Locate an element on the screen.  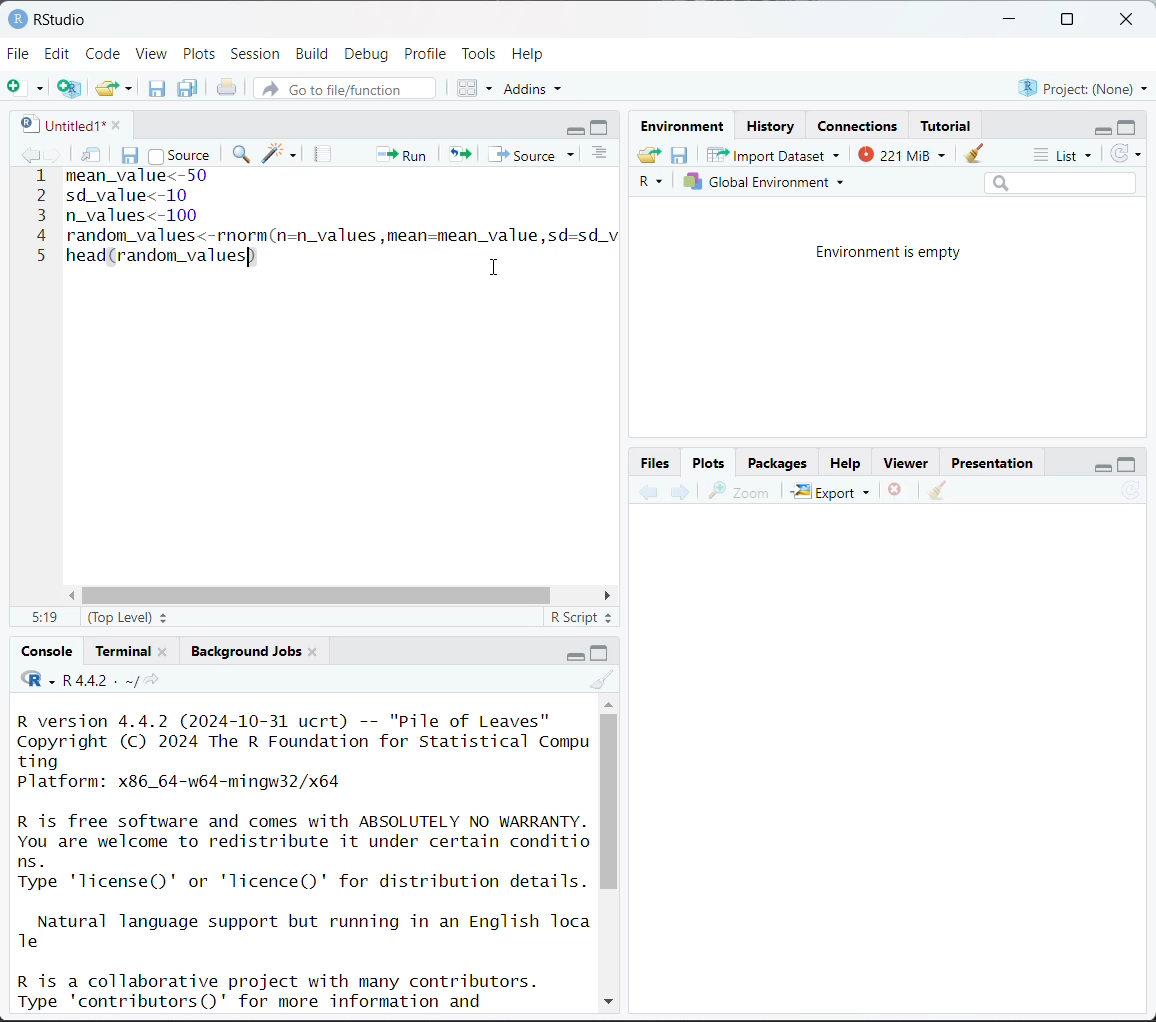
minimize is located at coordinates (1099, 128).